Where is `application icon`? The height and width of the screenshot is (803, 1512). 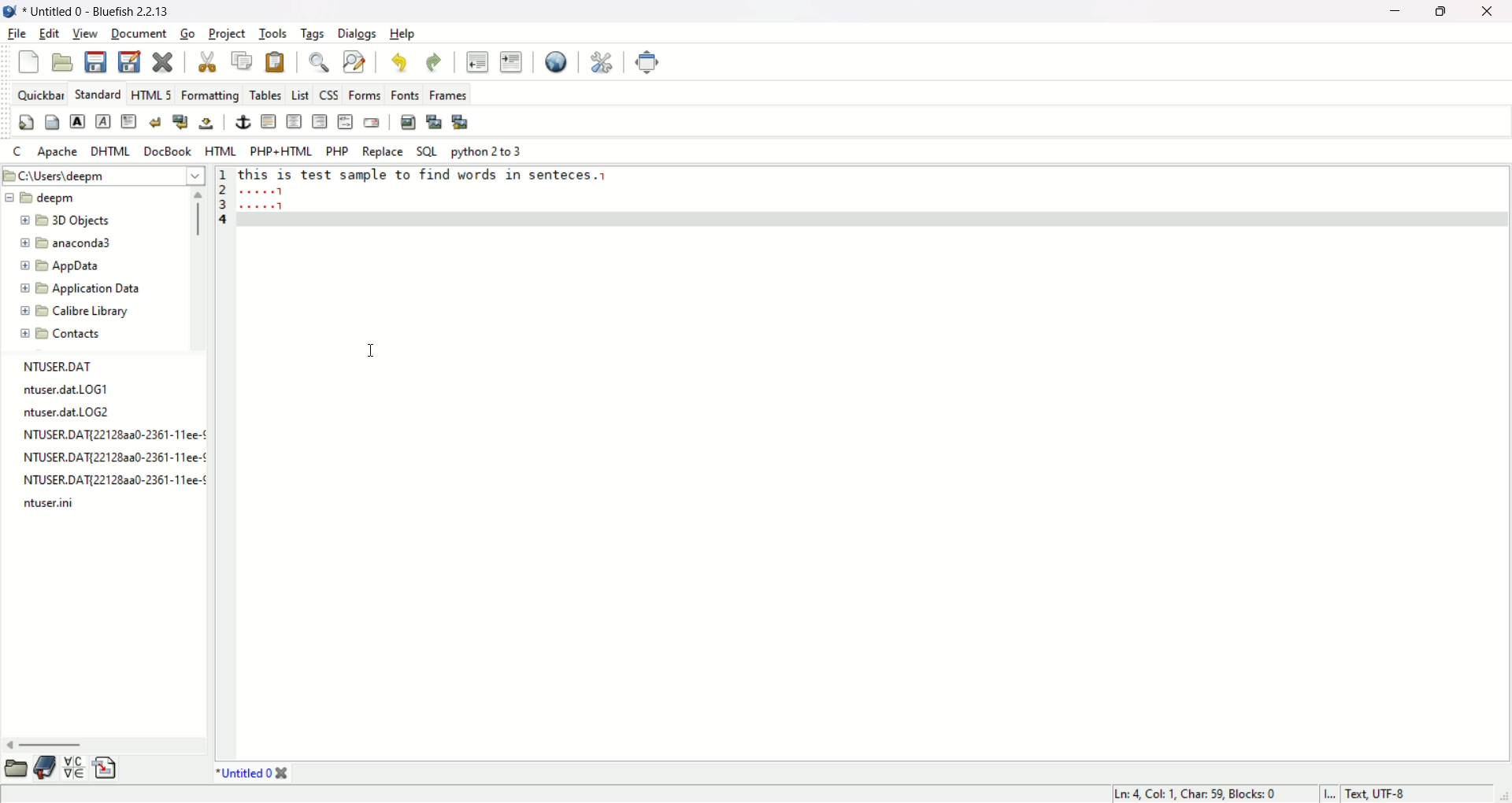 application icon is located at coordinates (9, 11).